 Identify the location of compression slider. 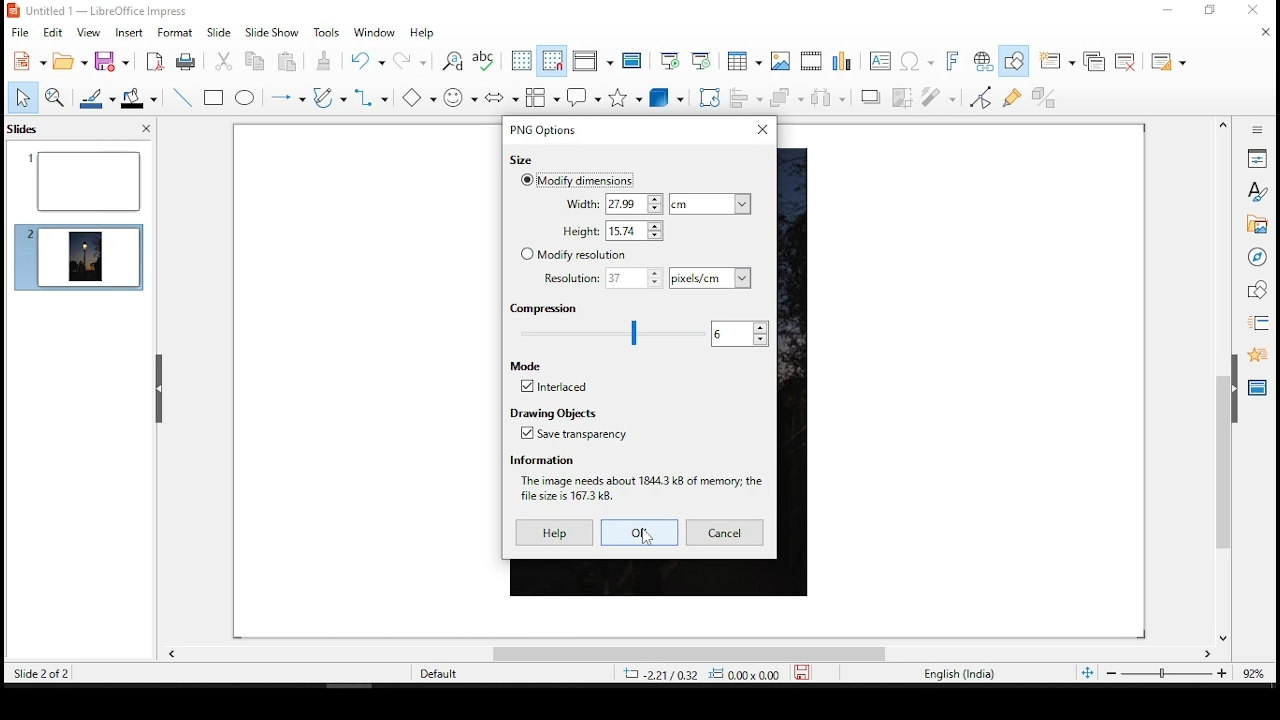
(612, 333).